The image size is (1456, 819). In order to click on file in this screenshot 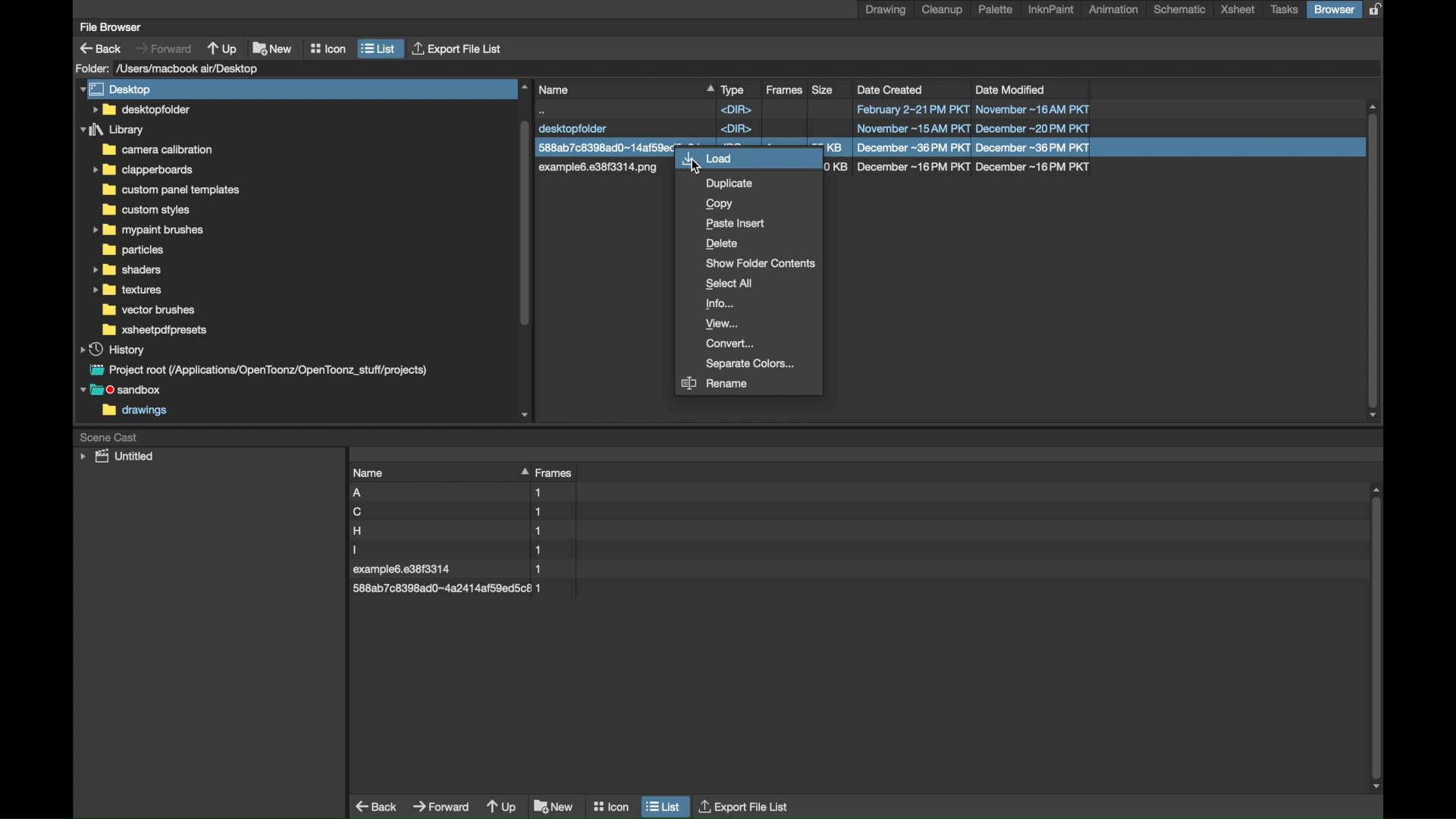, I will do `click(813, 109)`.